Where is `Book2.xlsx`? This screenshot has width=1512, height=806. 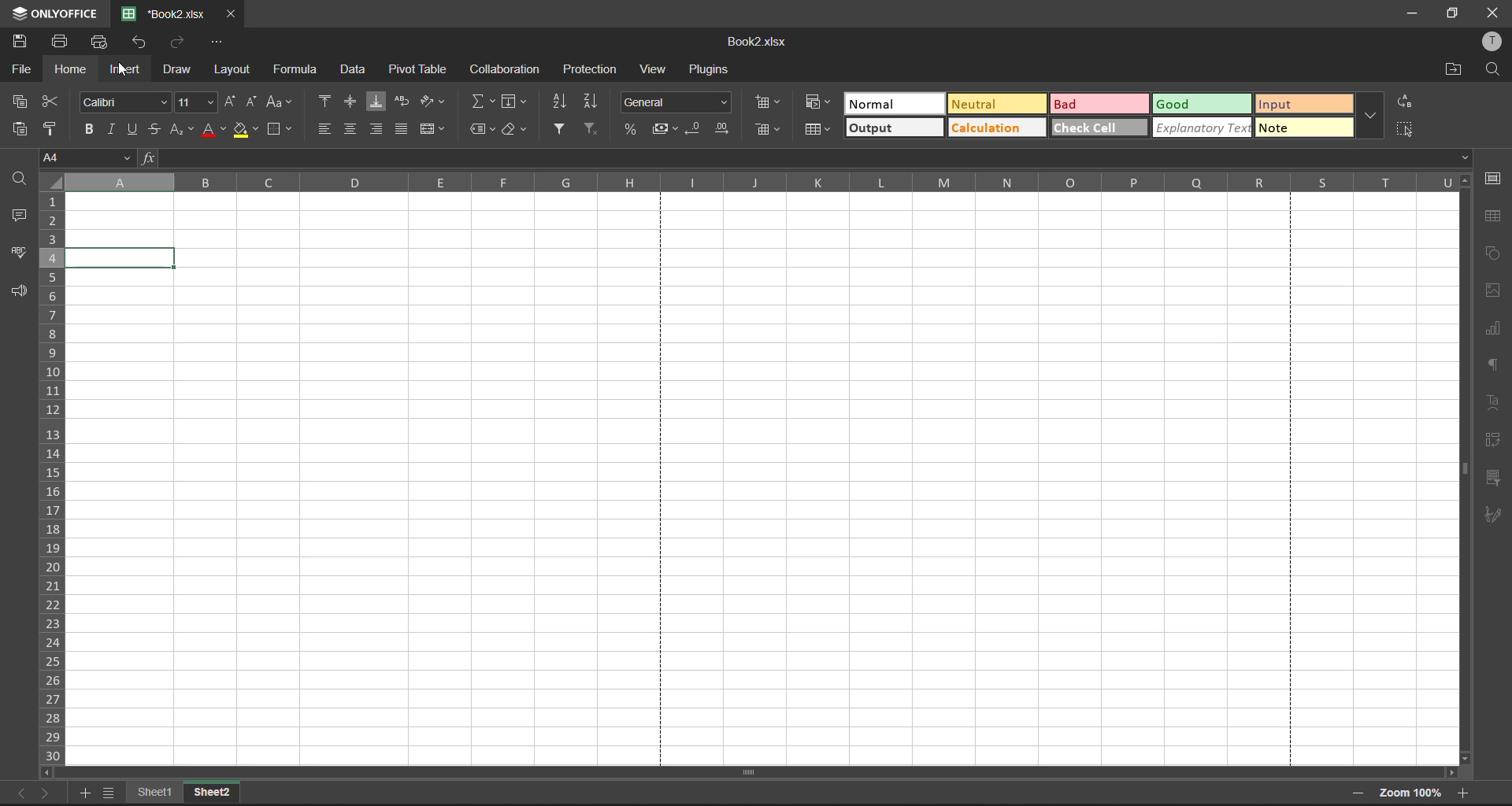
Book2.xlsx is located at coordinates (752, 42).